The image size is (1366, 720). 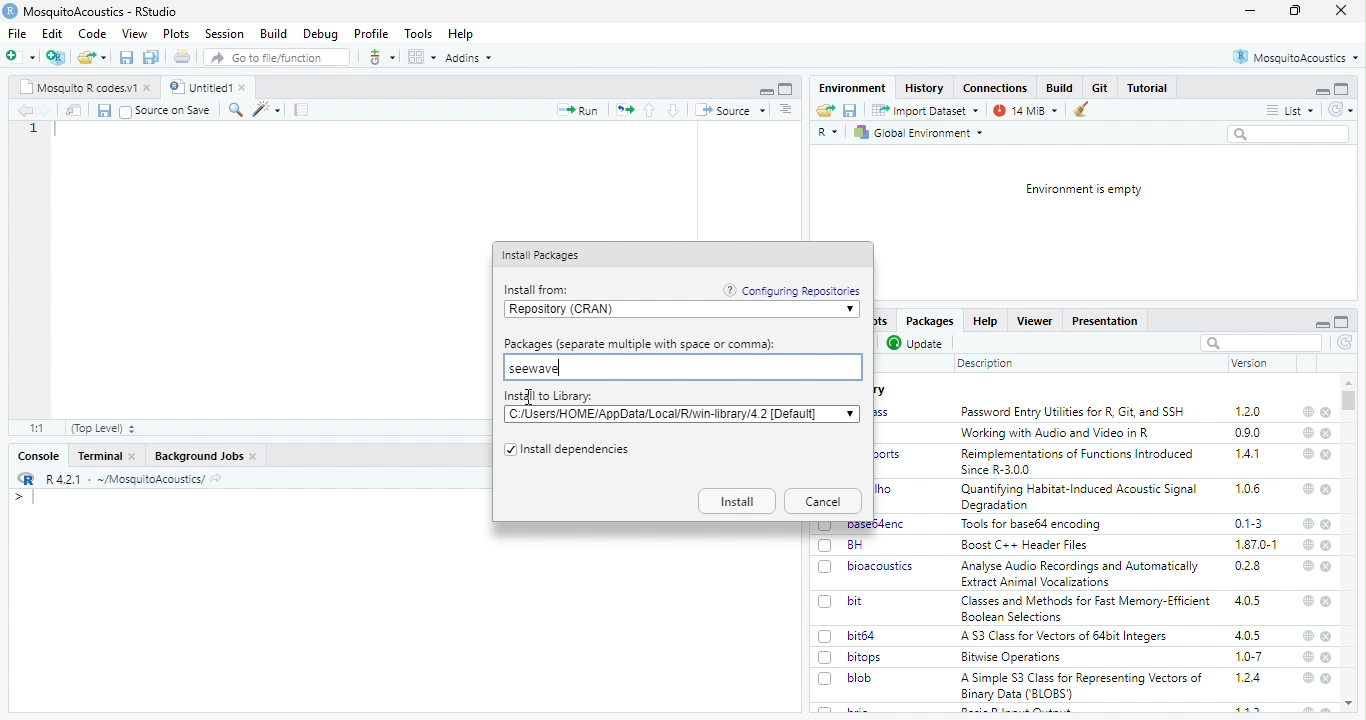 I want to click on save, so click(x=104, y=111).